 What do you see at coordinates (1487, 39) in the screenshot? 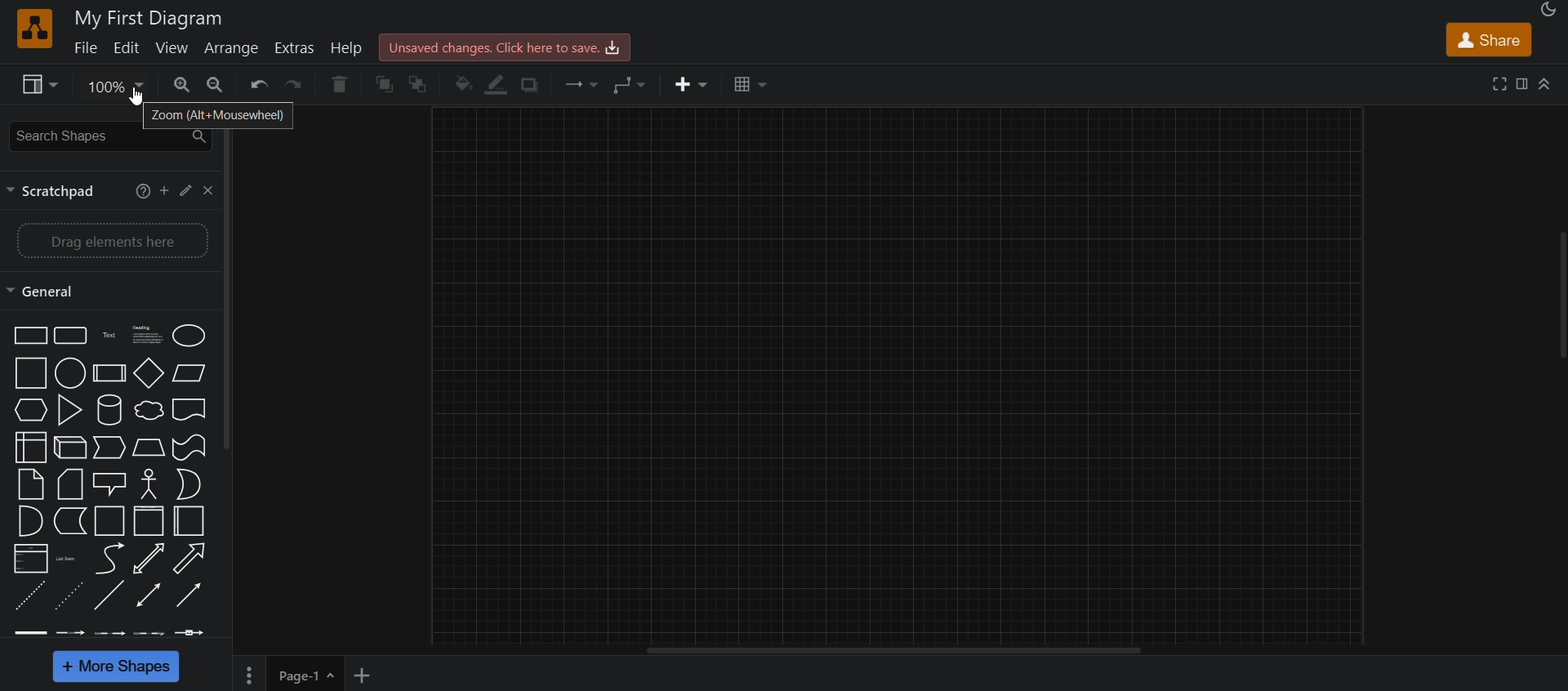
I see `share` at bounding box center [1487, 39].